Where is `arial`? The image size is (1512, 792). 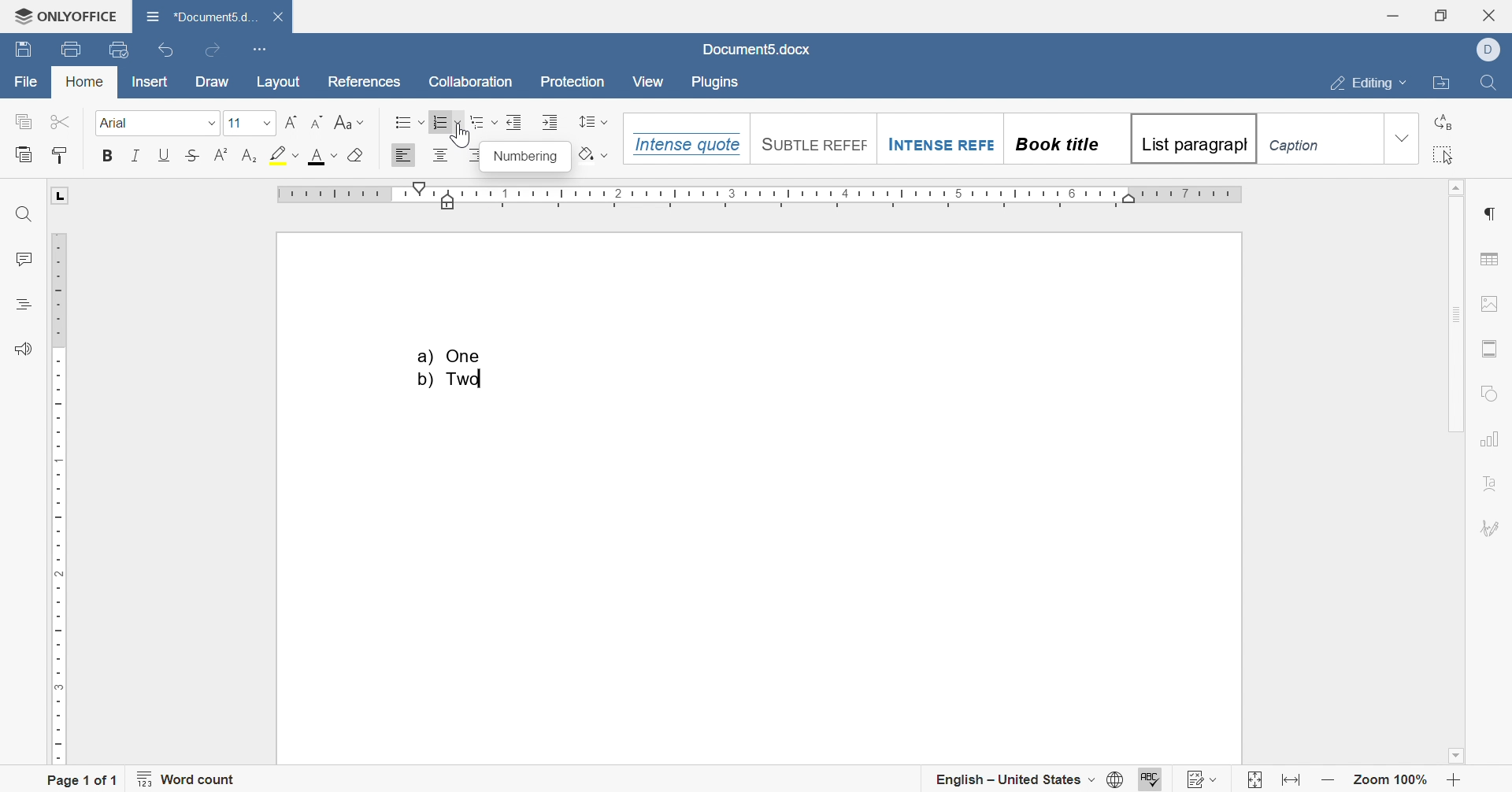 arial is located at coordinates (117, 123).